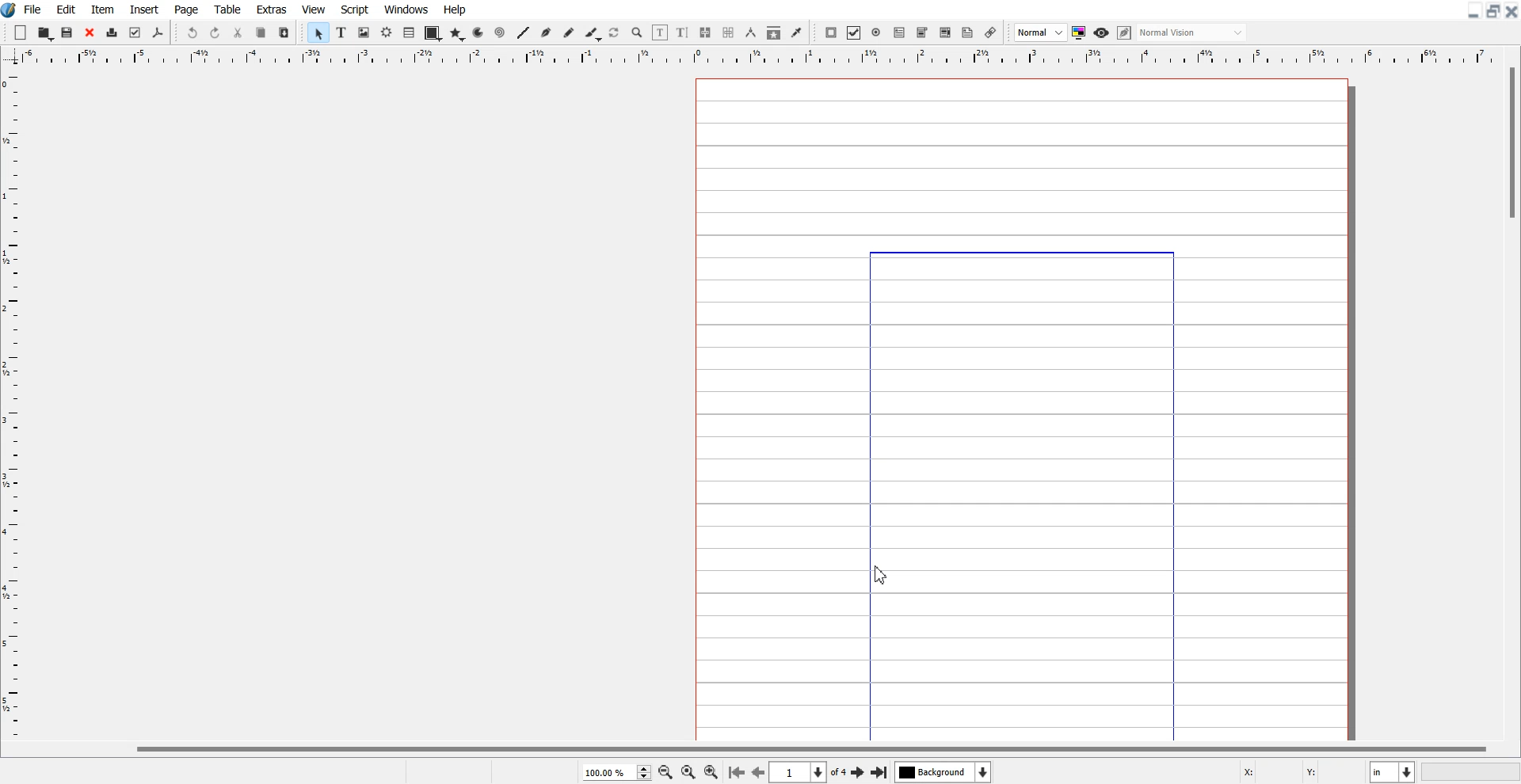 The image size is (1521, 784). What do you see at coordinates (68, 32) in the screenshot?
I see `Save` at bounding box center [68, 32].